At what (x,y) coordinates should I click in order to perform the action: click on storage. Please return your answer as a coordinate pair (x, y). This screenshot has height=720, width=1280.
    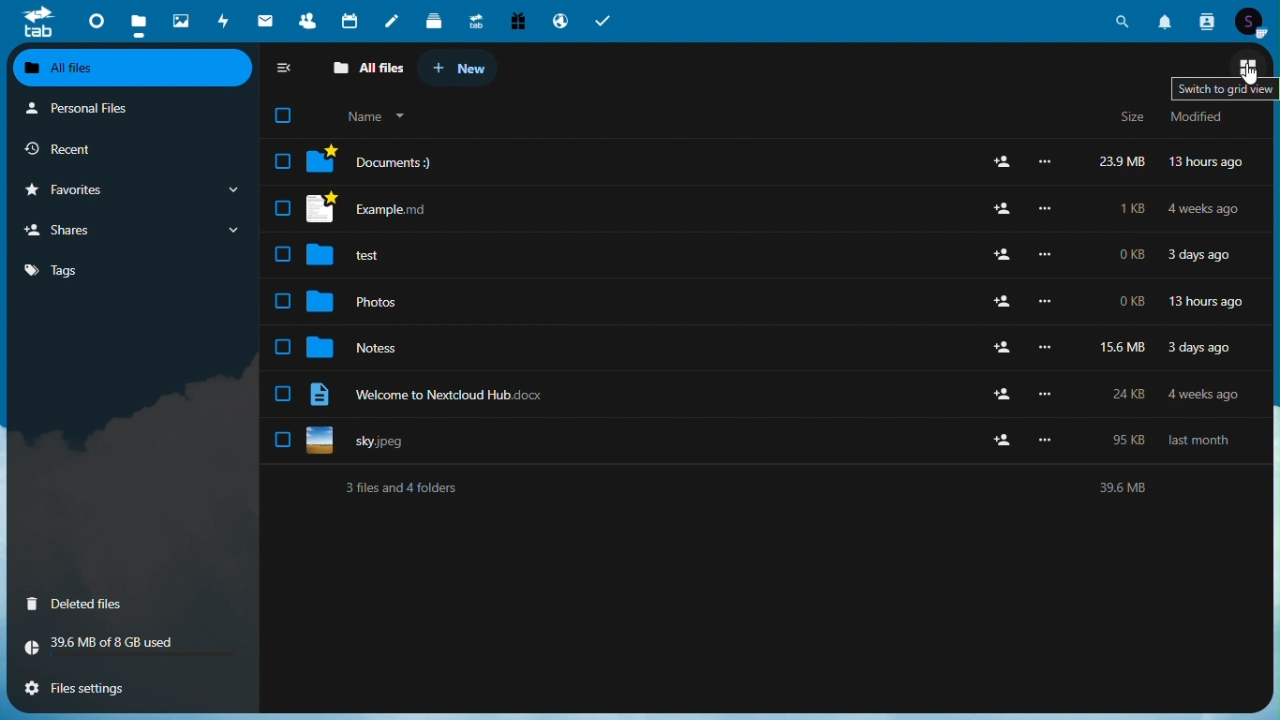
    Looking at the image, I should click on (127, 645).